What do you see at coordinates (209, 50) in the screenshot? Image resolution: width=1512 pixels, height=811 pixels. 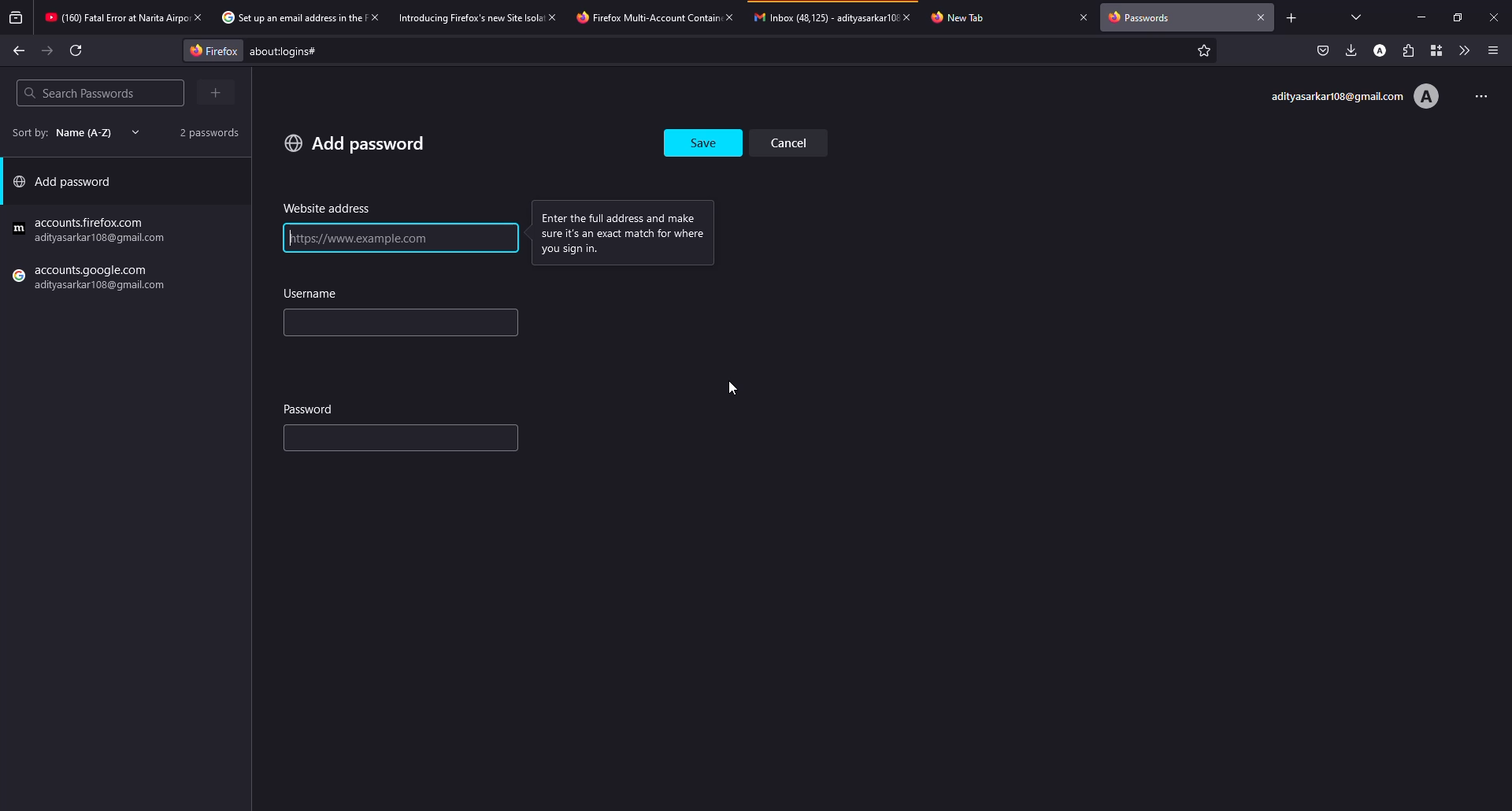 I see `firefox` at bounding box center [209, 50].